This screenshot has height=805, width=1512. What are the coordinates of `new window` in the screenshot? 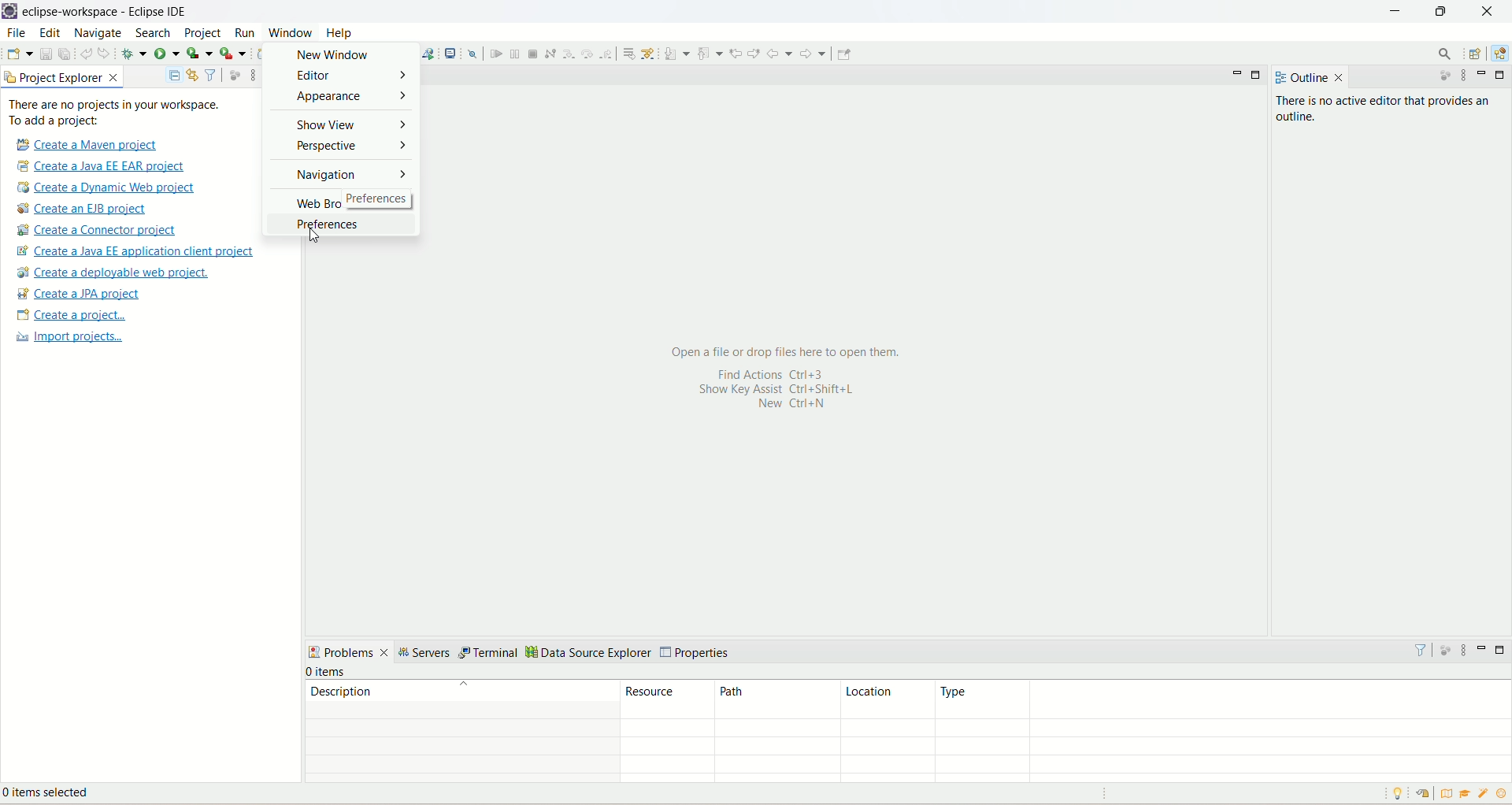 It's located at (343, 54).